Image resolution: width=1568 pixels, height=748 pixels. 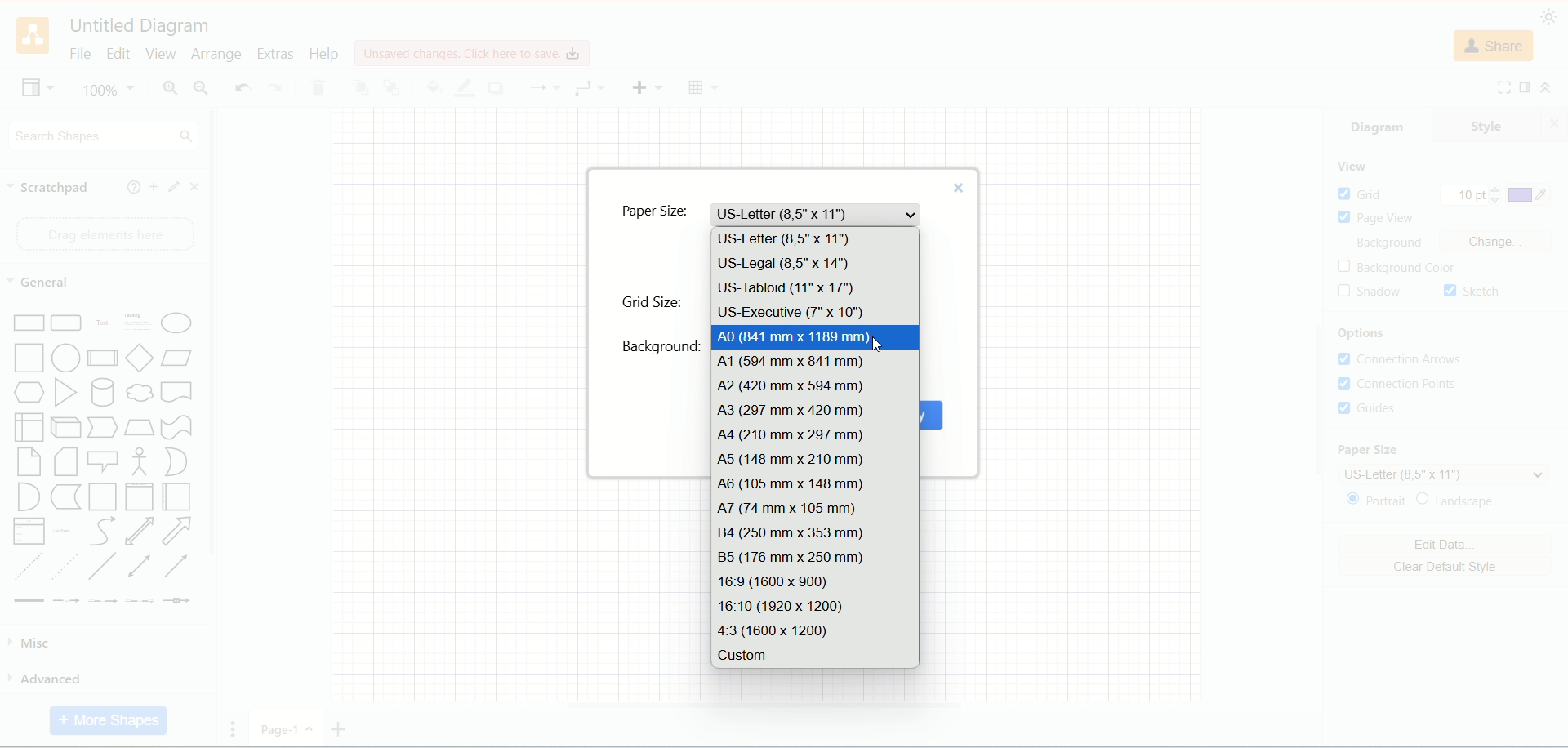 What do you see at coordinates (1444, 568) in the screenshot?
I see `clear default style` at bounding box center [1444, 568].